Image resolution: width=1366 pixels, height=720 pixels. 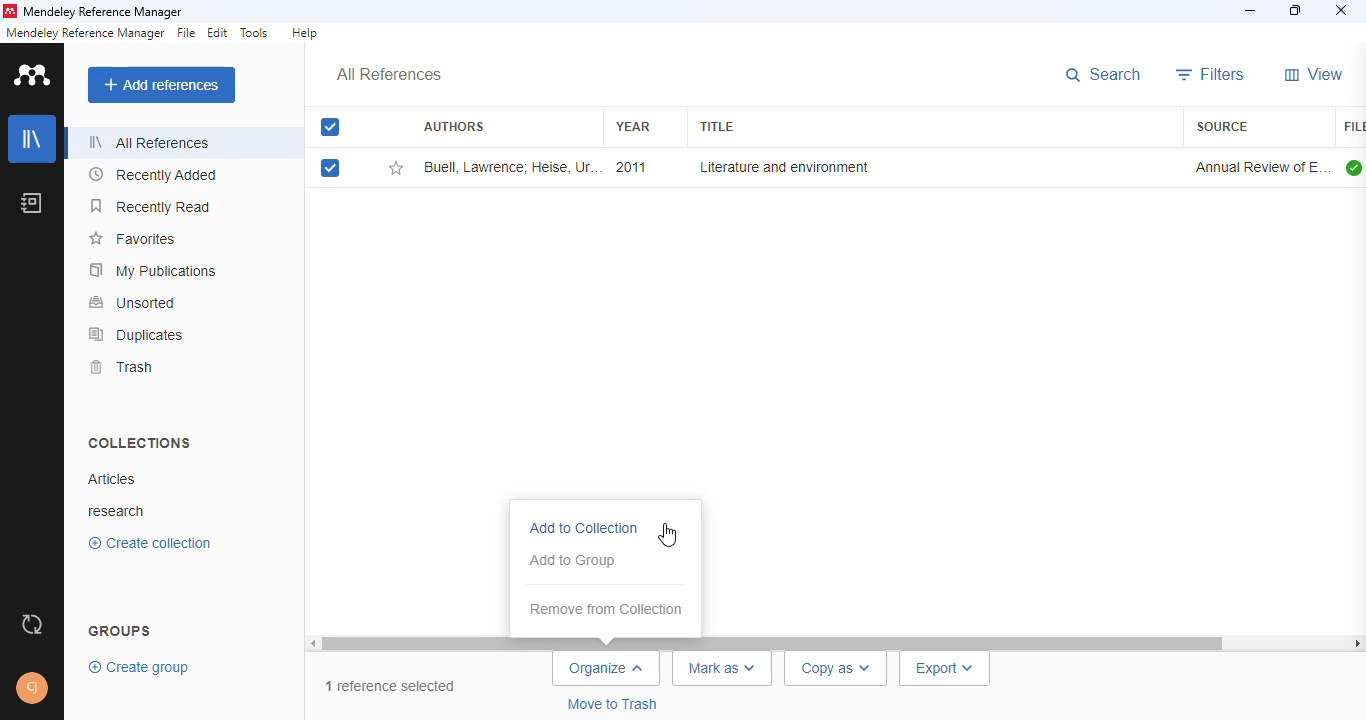 I want to click on source, so click(x=1222, y=126).